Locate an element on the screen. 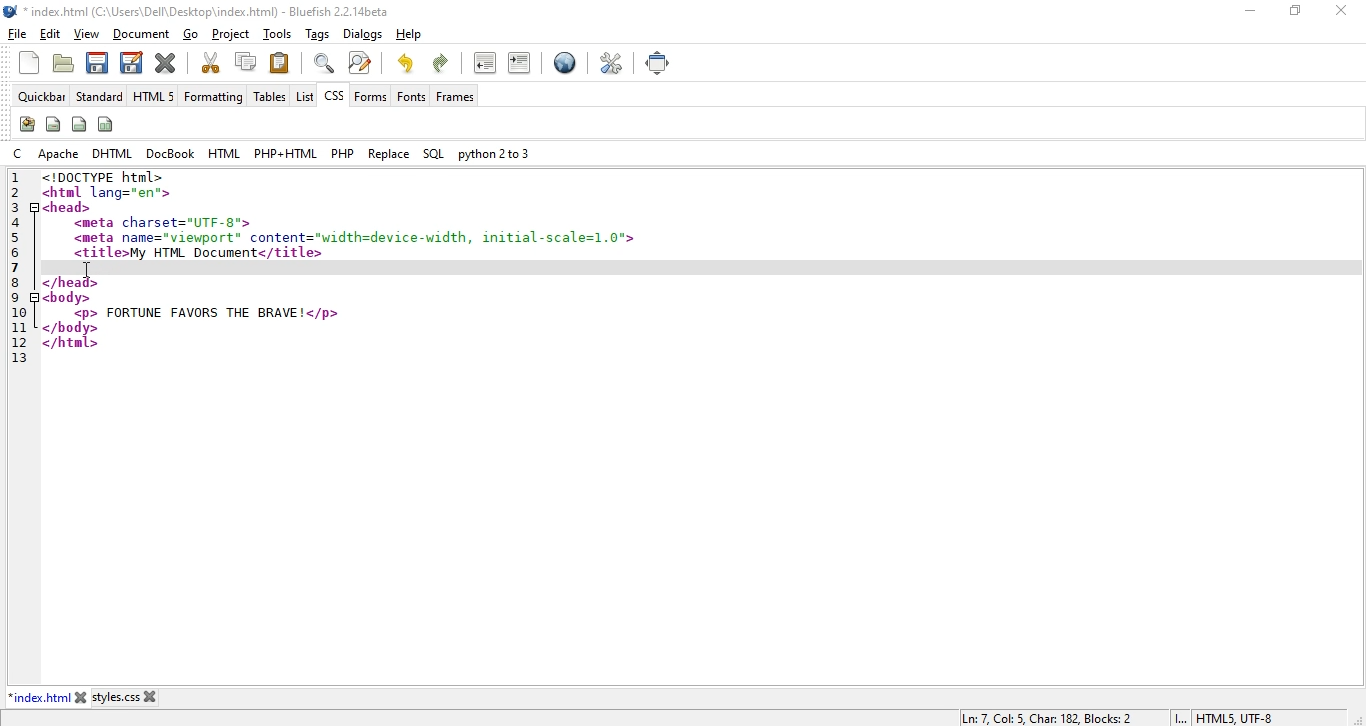 Image resolution: width=1366 pixels, height=726 pixels. 4 is located at coordinates (18, 221).